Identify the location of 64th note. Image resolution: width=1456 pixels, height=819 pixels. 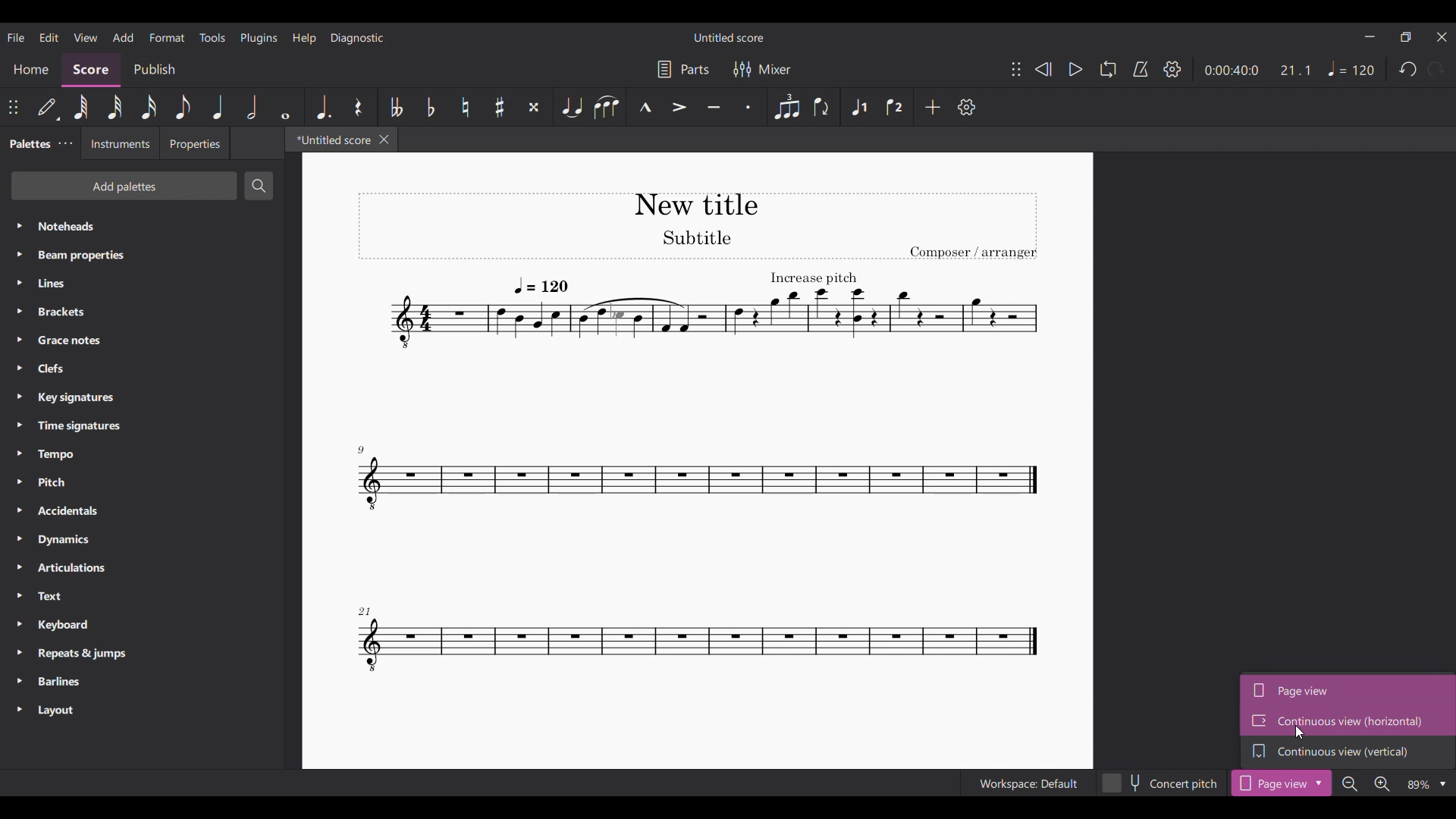
(80, 107).